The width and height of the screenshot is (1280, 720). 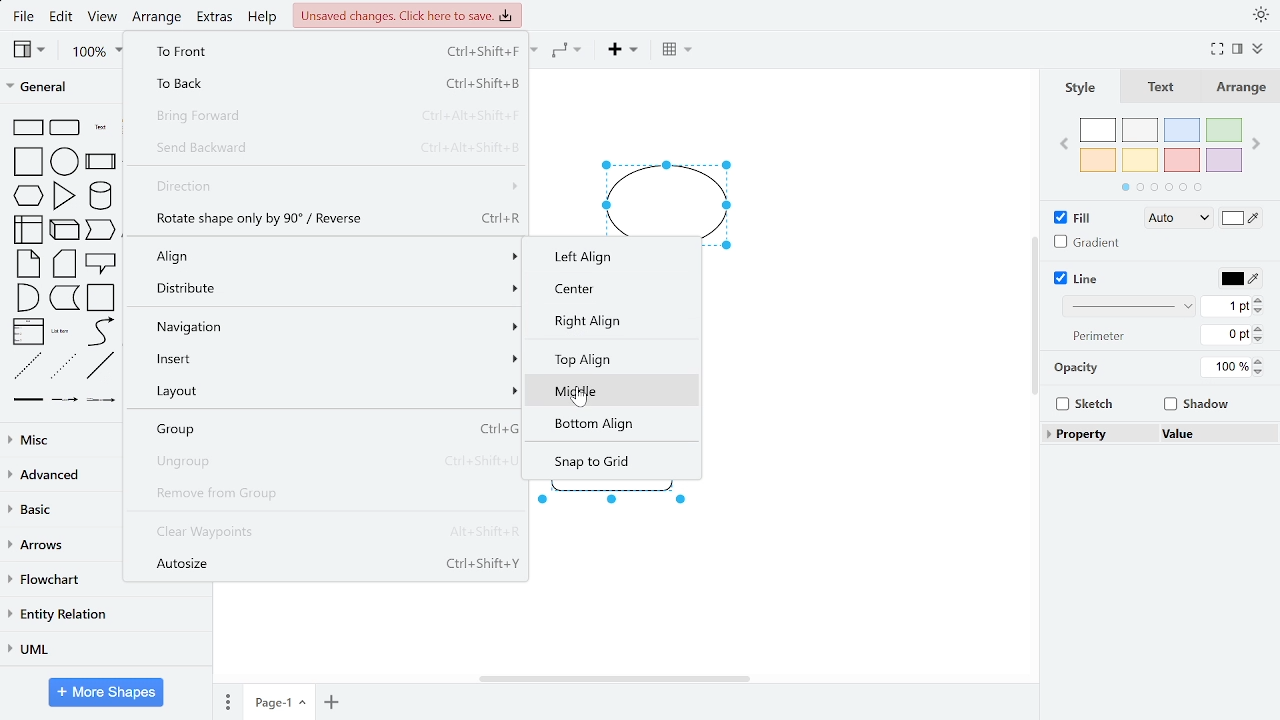 I want to click on Middle, so click(x=614, y=393).